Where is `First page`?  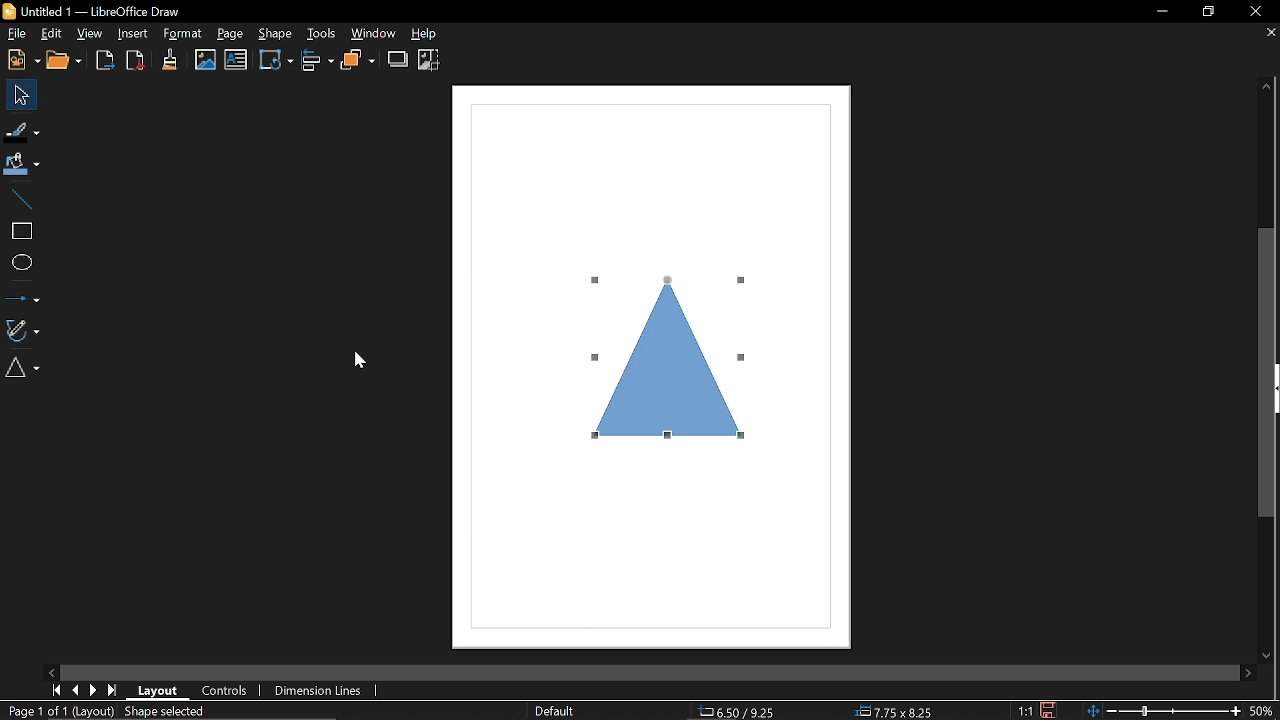 First page is located at coordinates (54, 690).